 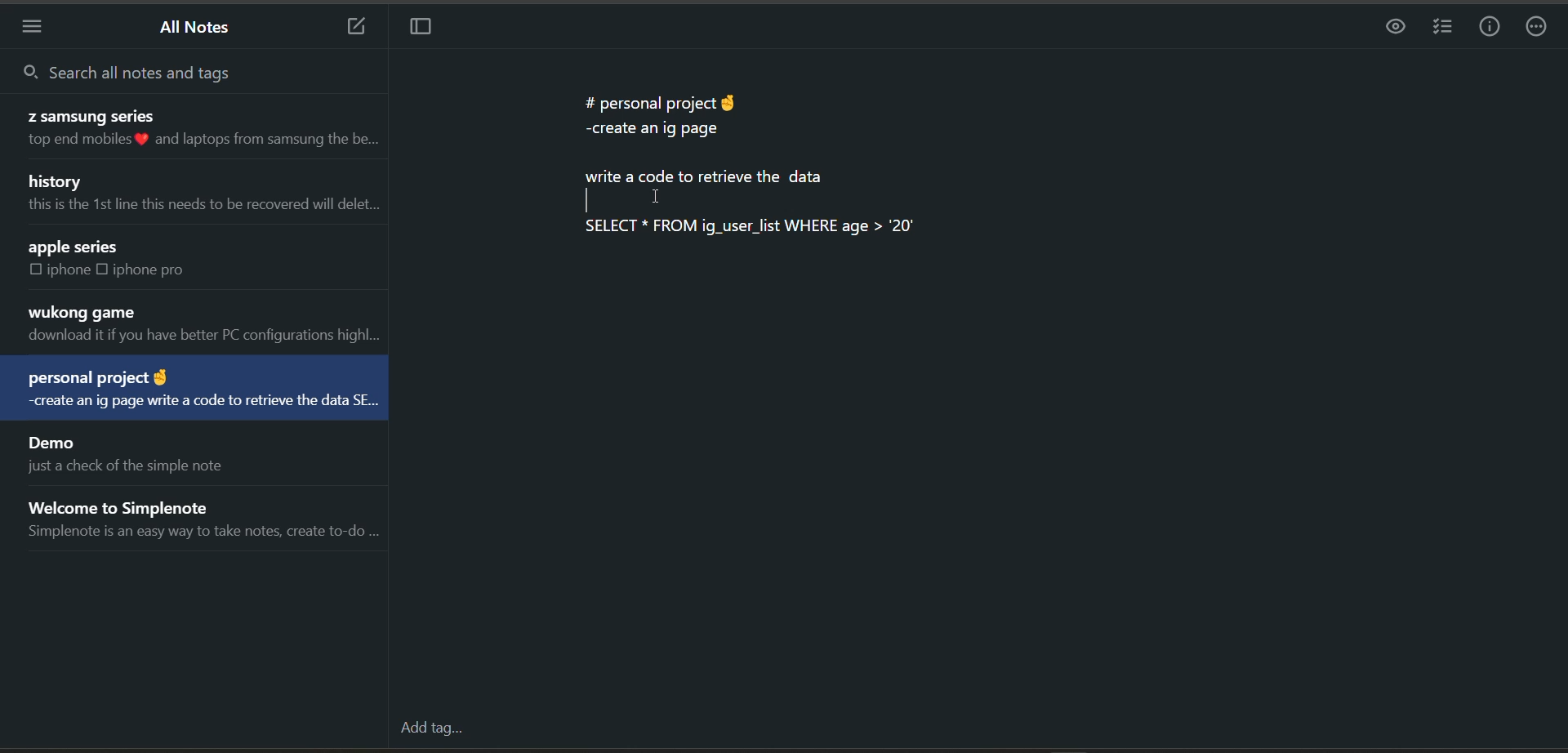 I want to click on actions, so click(x=1539, y=29).